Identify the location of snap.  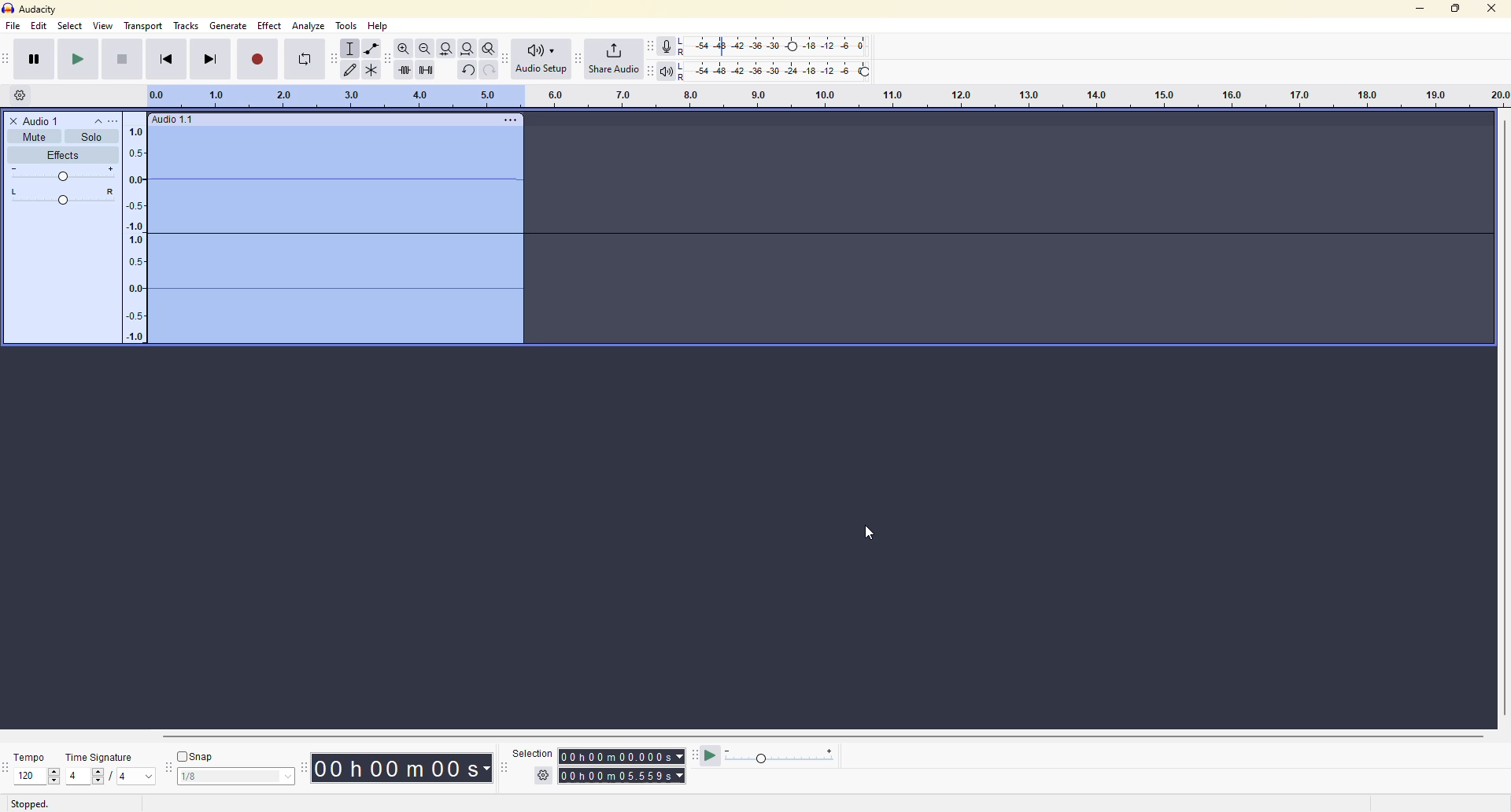
(198, 756).